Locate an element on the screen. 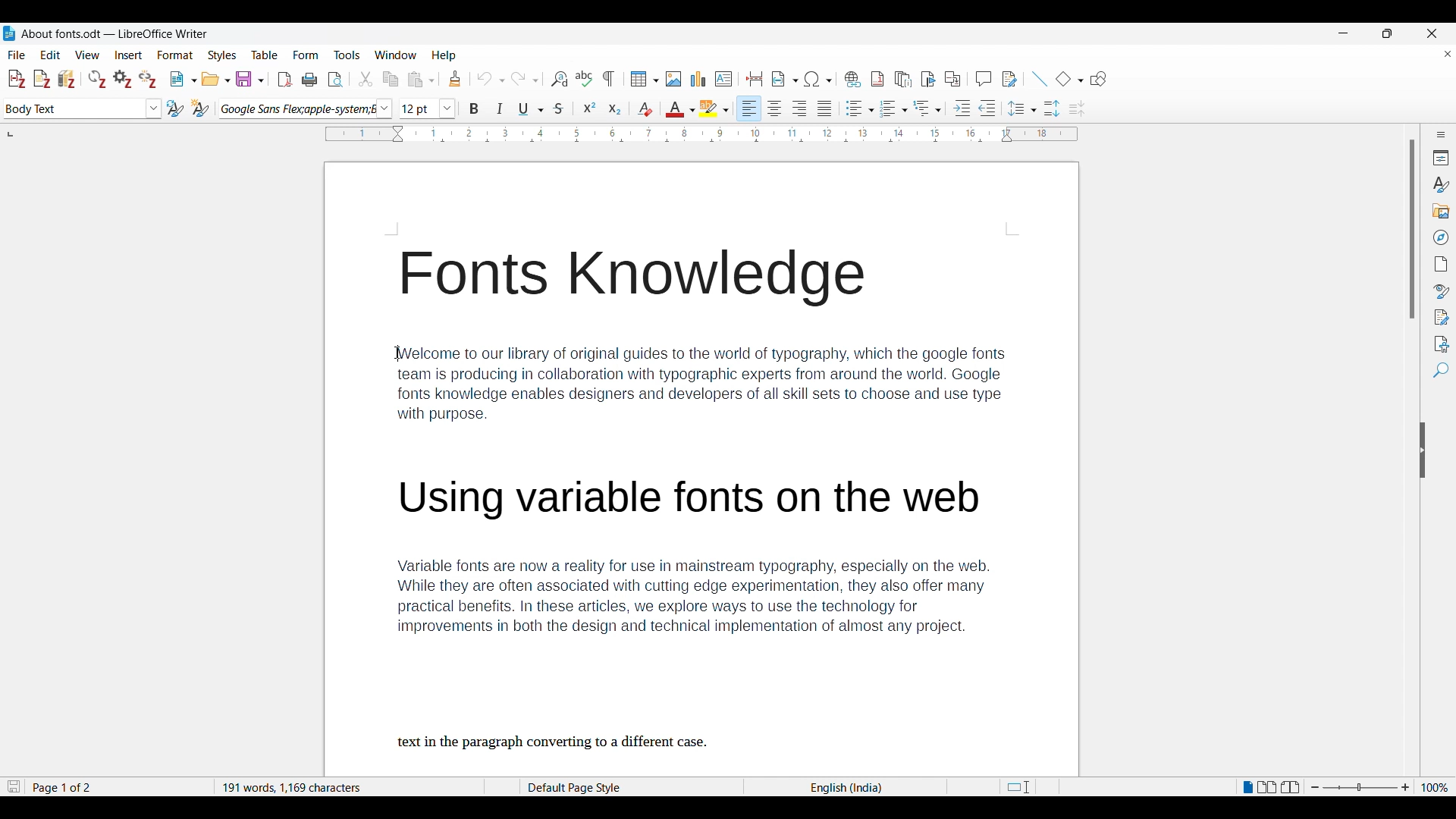  Properties is located at coordinates (1442, 158).